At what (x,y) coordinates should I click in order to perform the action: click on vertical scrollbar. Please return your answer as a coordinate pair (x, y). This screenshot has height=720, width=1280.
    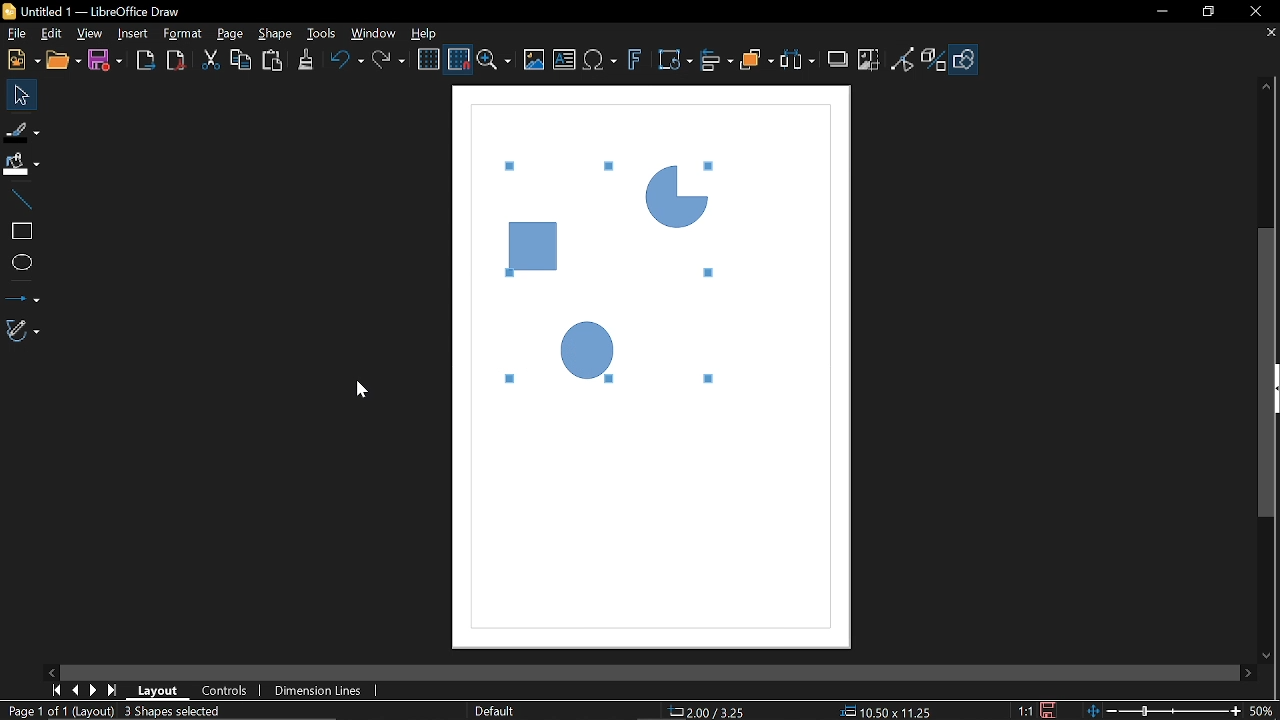
    Looking at the image, I should click on (1270, 373).